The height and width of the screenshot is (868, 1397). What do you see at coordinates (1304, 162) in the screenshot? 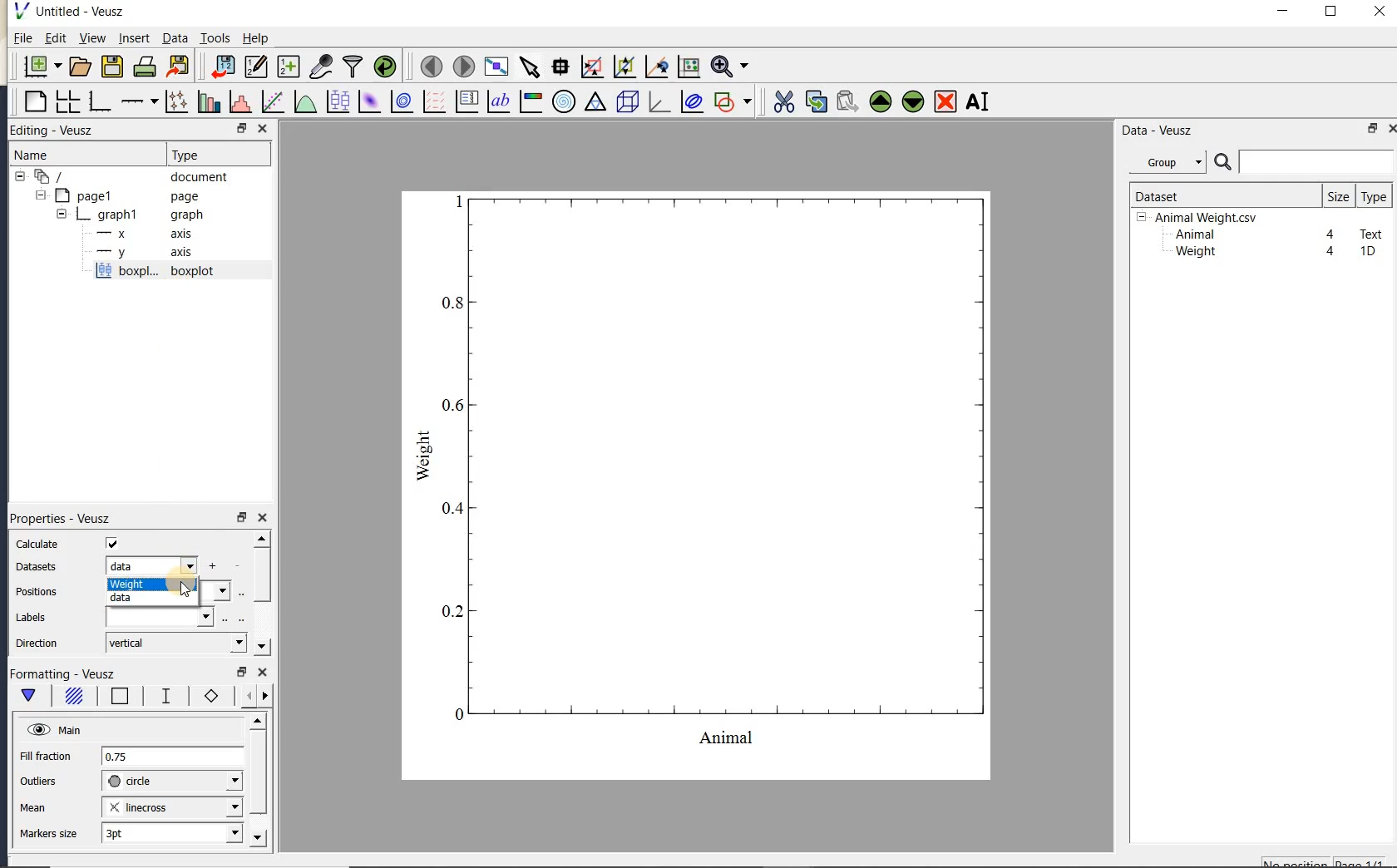
I see `search datasets` at bounding box center [1304, 162].